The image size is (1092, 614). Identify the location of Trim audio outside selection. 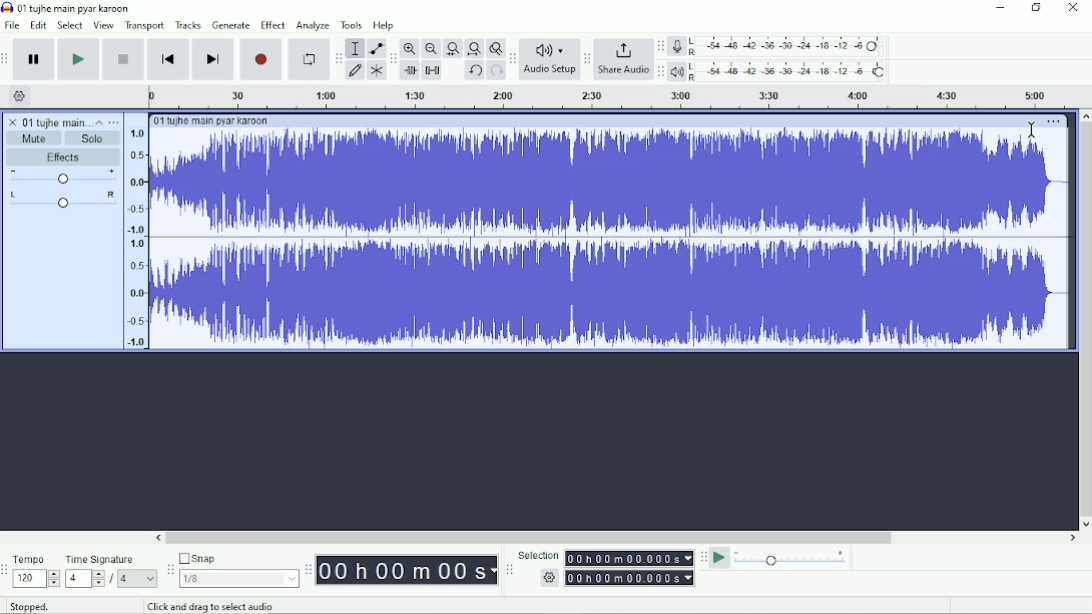
(410, 71).